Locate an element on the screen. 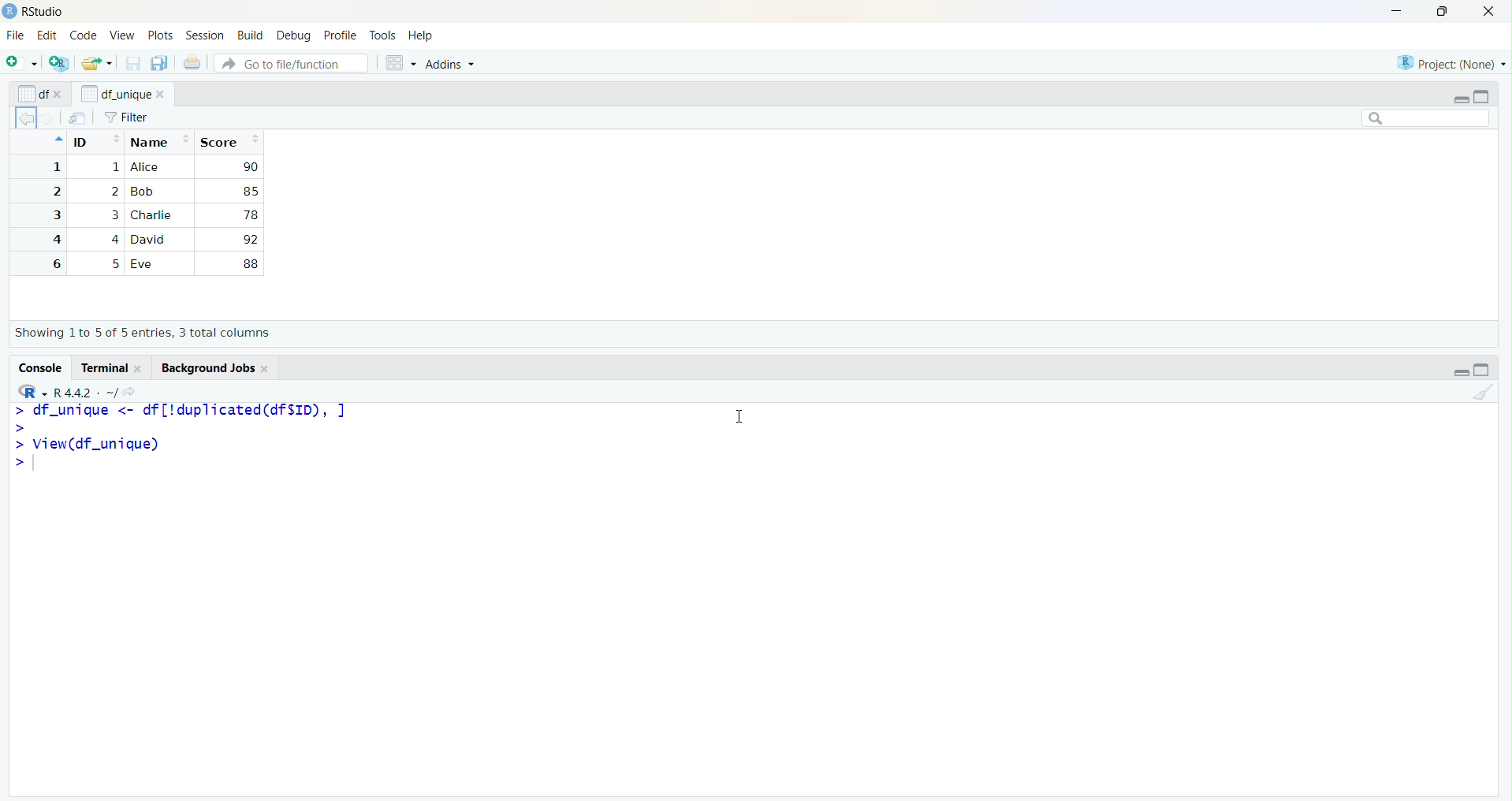  RStudio menu is located at coordinates (32, 392).